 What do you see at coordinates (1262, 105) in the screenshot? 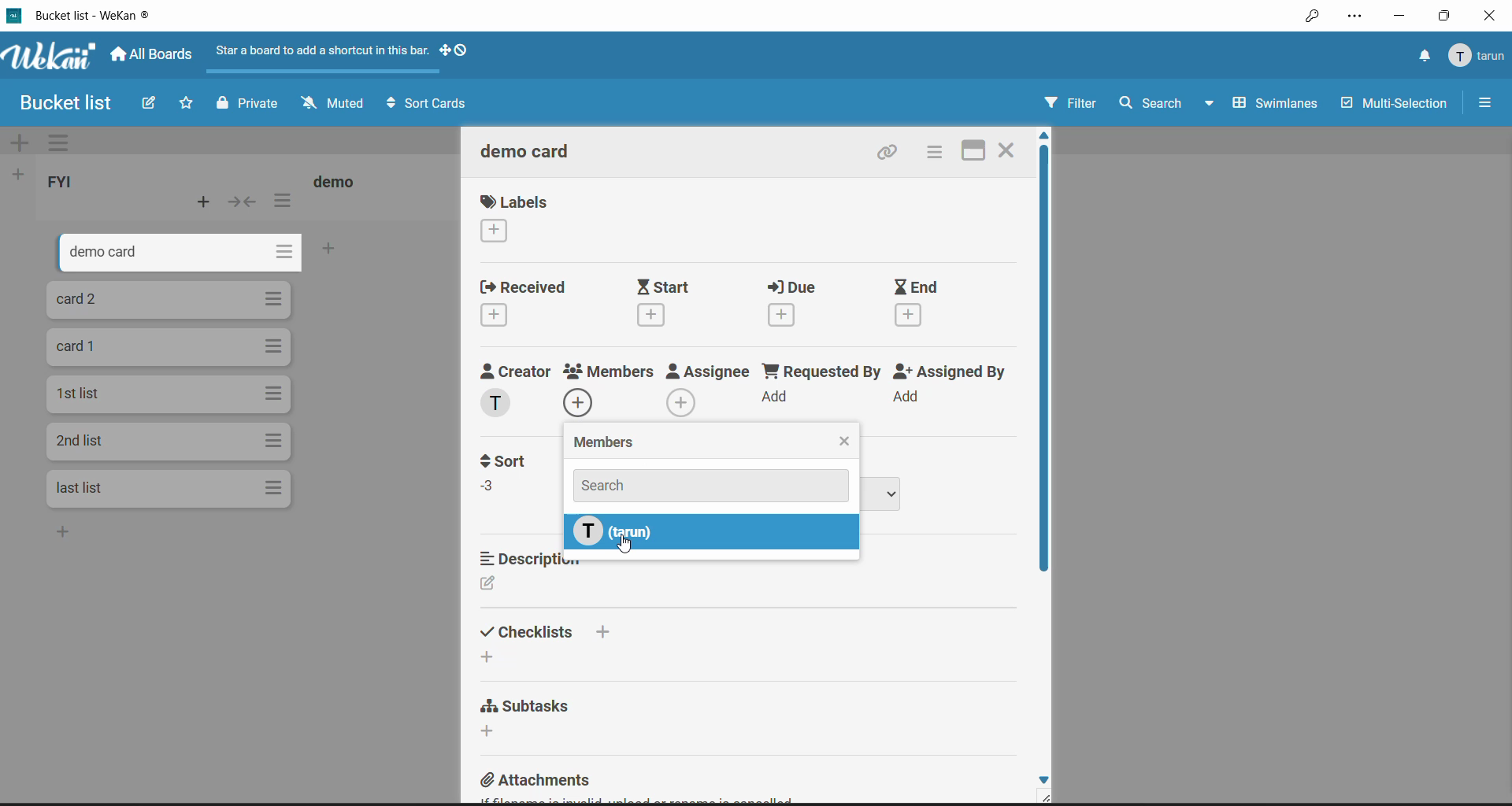
I see `board view` at bounding box center [1262, 105].